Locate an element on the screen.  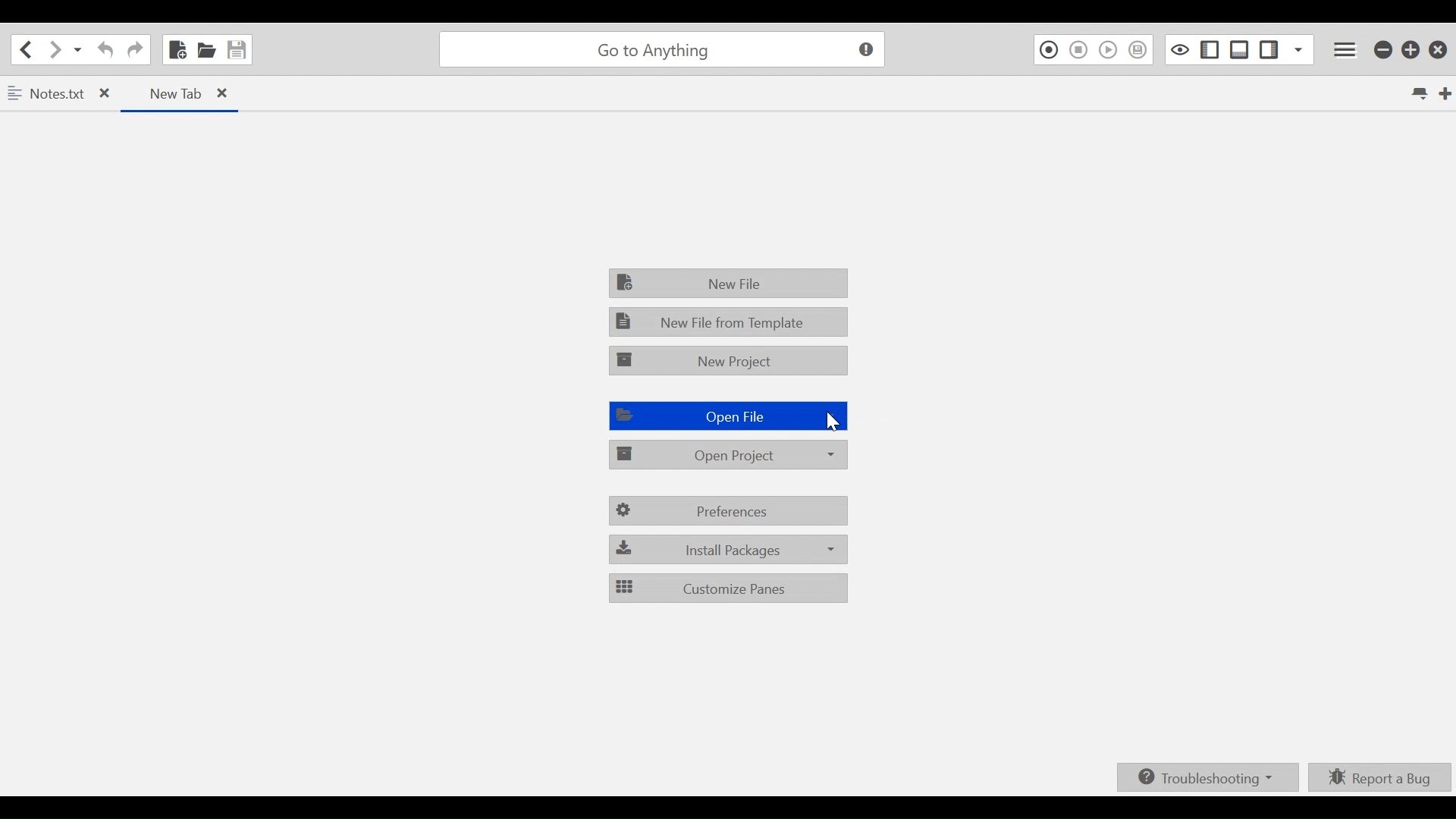
Restore is located at coordinates (1412, 51).